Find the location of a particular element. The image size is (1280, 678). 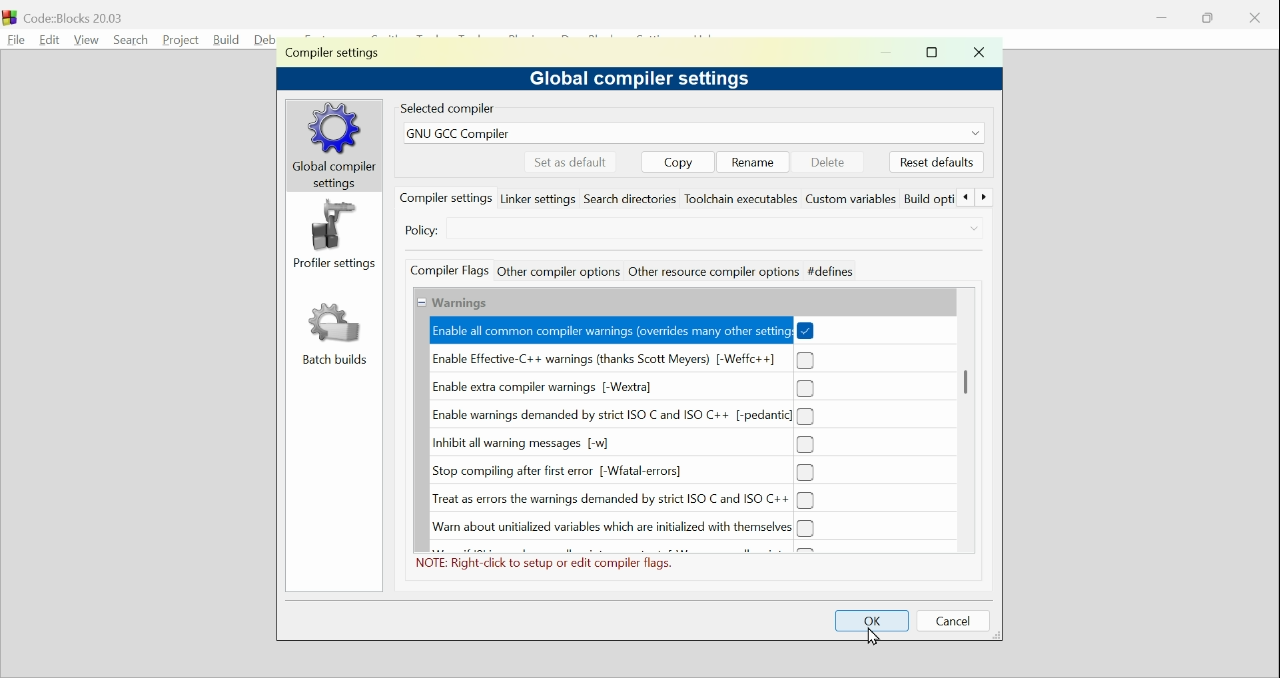

Reset default is located at coordinates (936, 162).